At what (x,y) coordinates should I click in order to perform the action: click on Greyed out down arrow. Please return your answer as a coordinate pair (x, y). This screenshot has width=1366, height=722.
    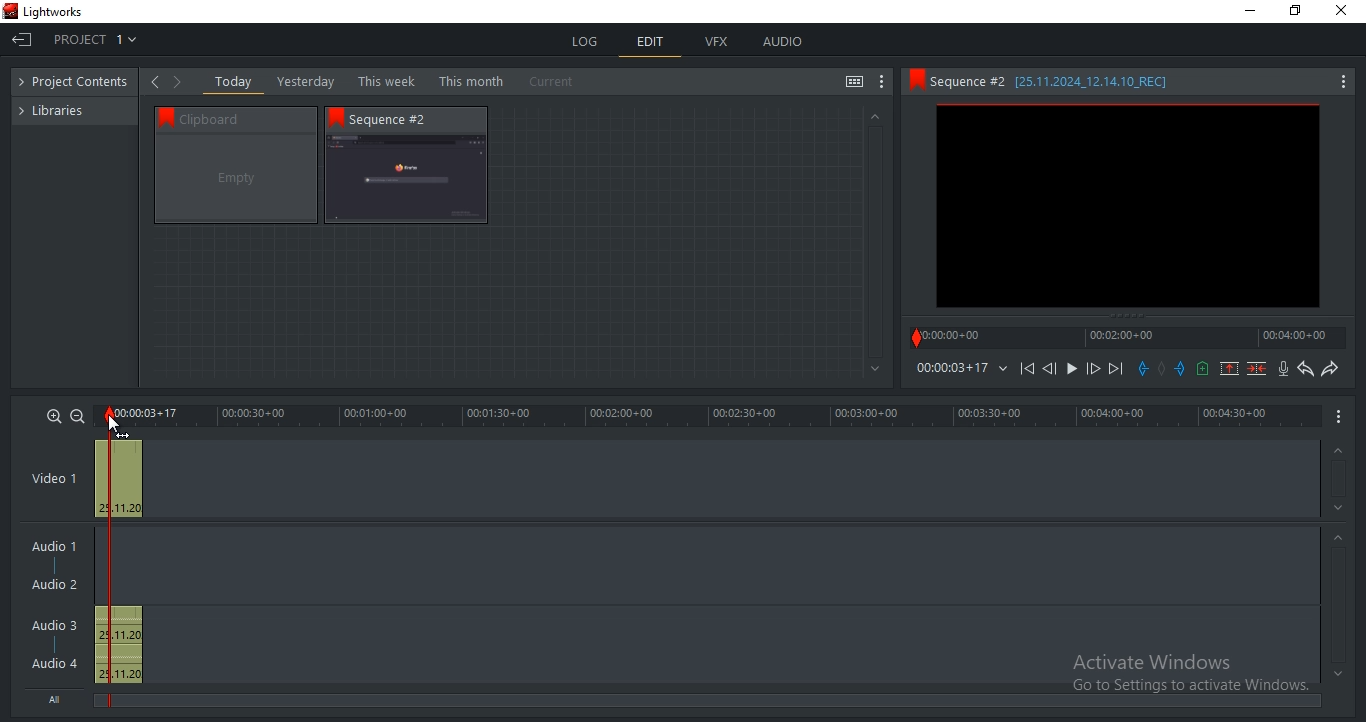
    Looking at the image, I should click on (1341, 511).